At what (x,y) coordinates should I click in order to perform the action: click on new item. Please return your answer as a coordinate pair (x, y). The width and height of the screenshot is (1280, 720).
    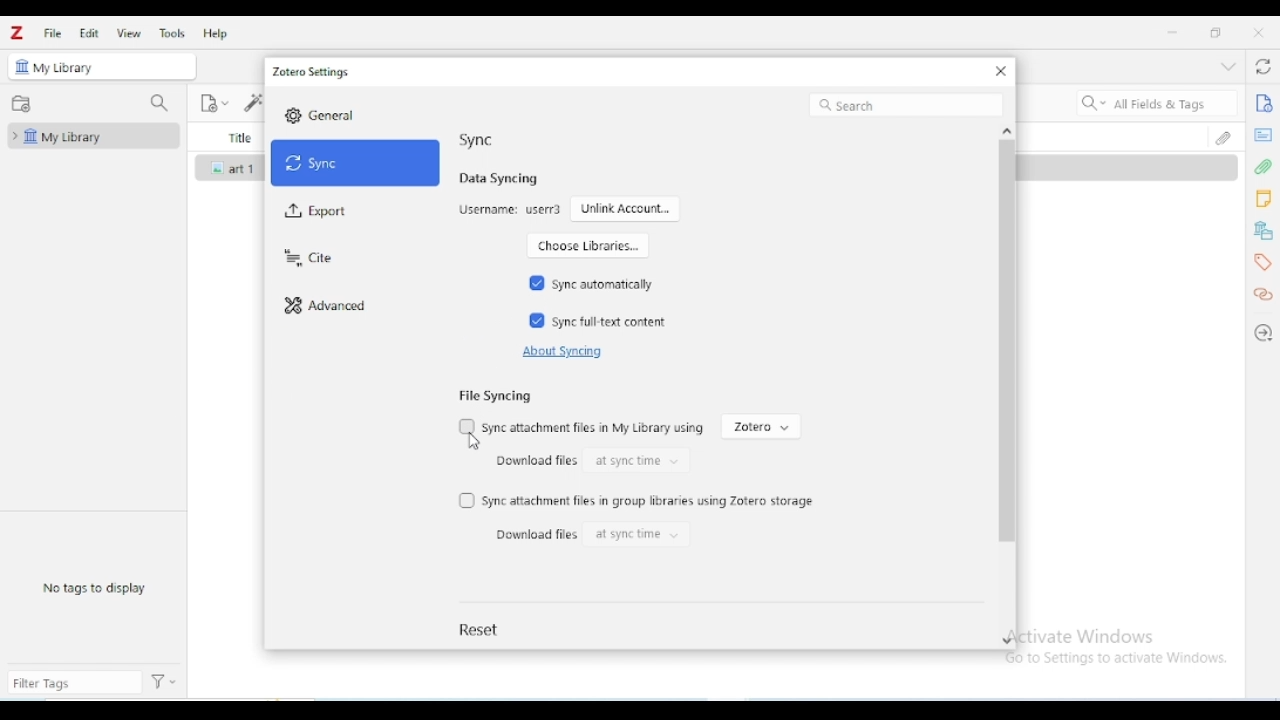
    Looking at the image, I should click on (214, 104).